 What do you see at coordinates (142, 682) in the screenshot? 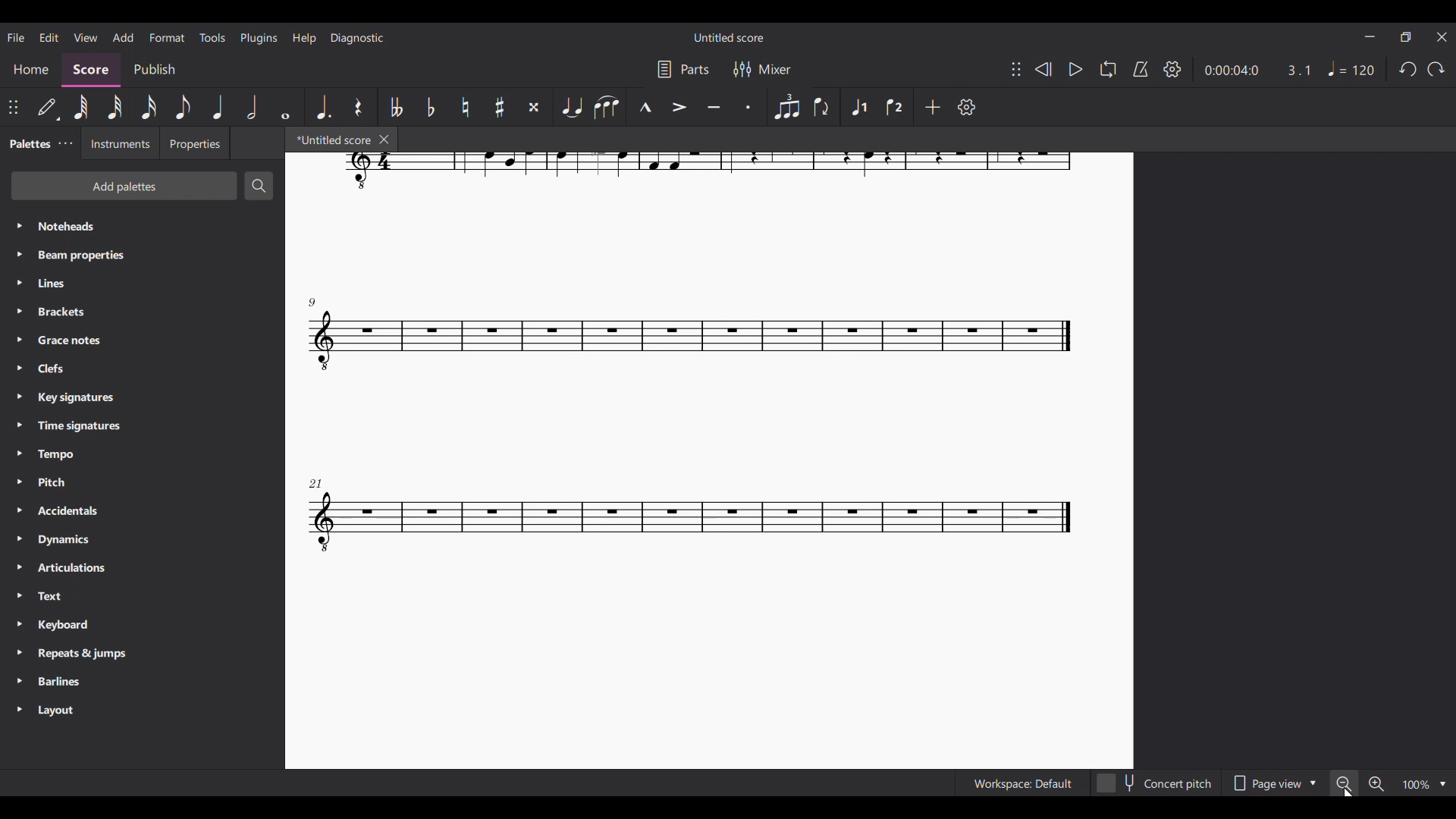
I see `Barlines` at bounding box center [142, 682].